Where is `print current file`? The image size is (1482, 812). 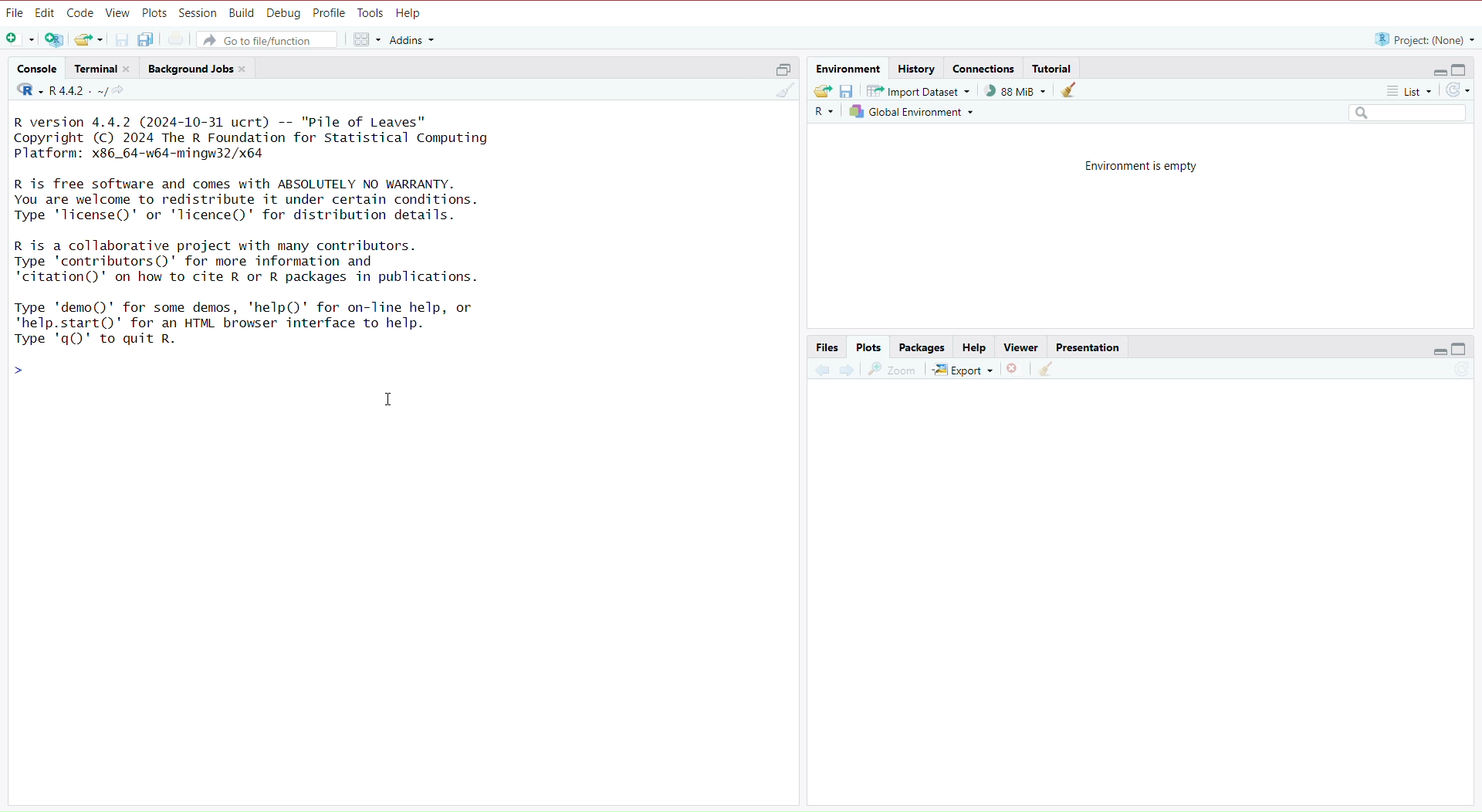
print current file is located at coordinates (178, 39).